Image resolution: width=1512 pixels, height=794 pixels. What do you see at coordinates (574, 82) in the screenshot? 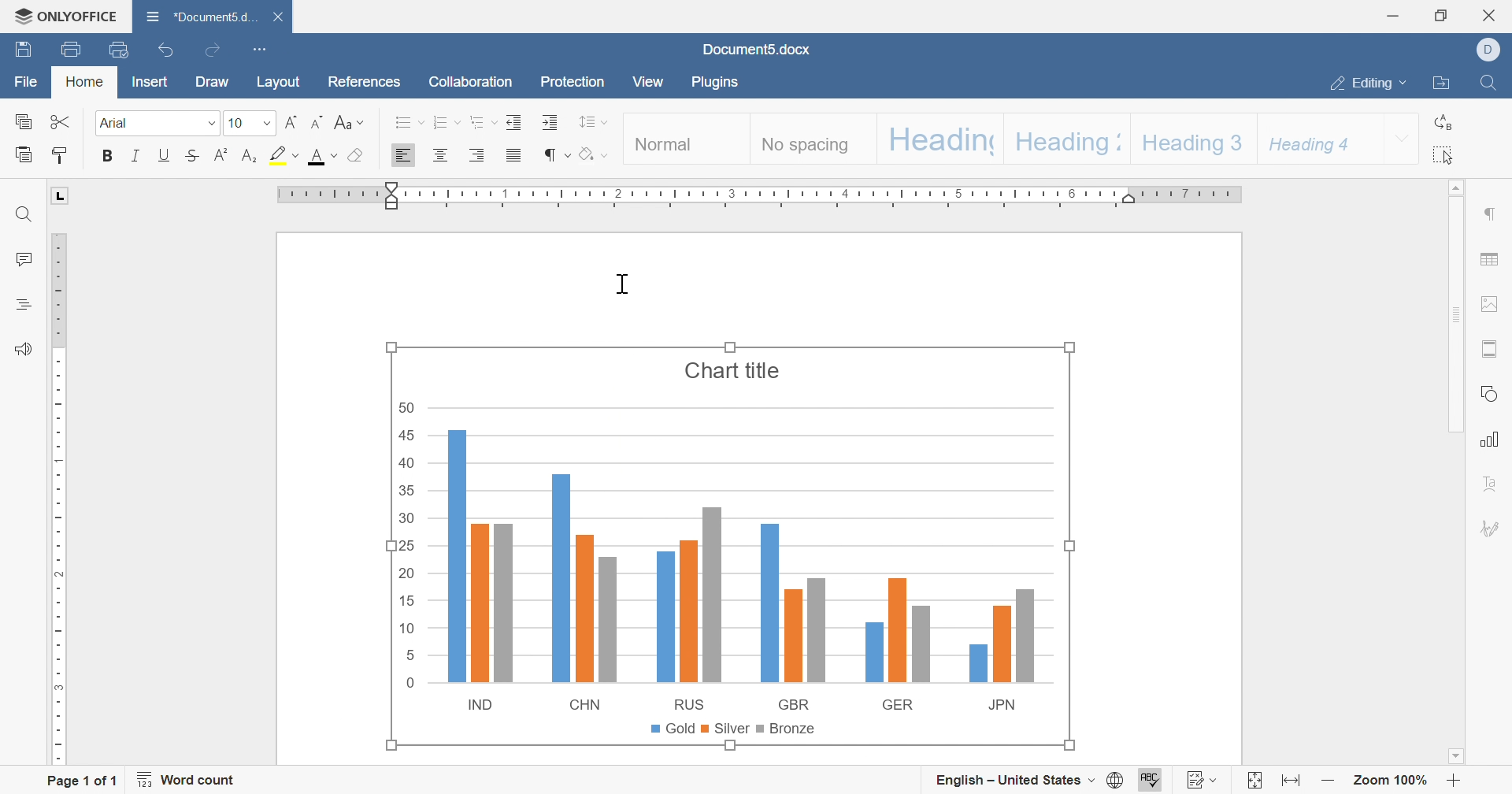
I see `protection` at bounding box center [574, 82].